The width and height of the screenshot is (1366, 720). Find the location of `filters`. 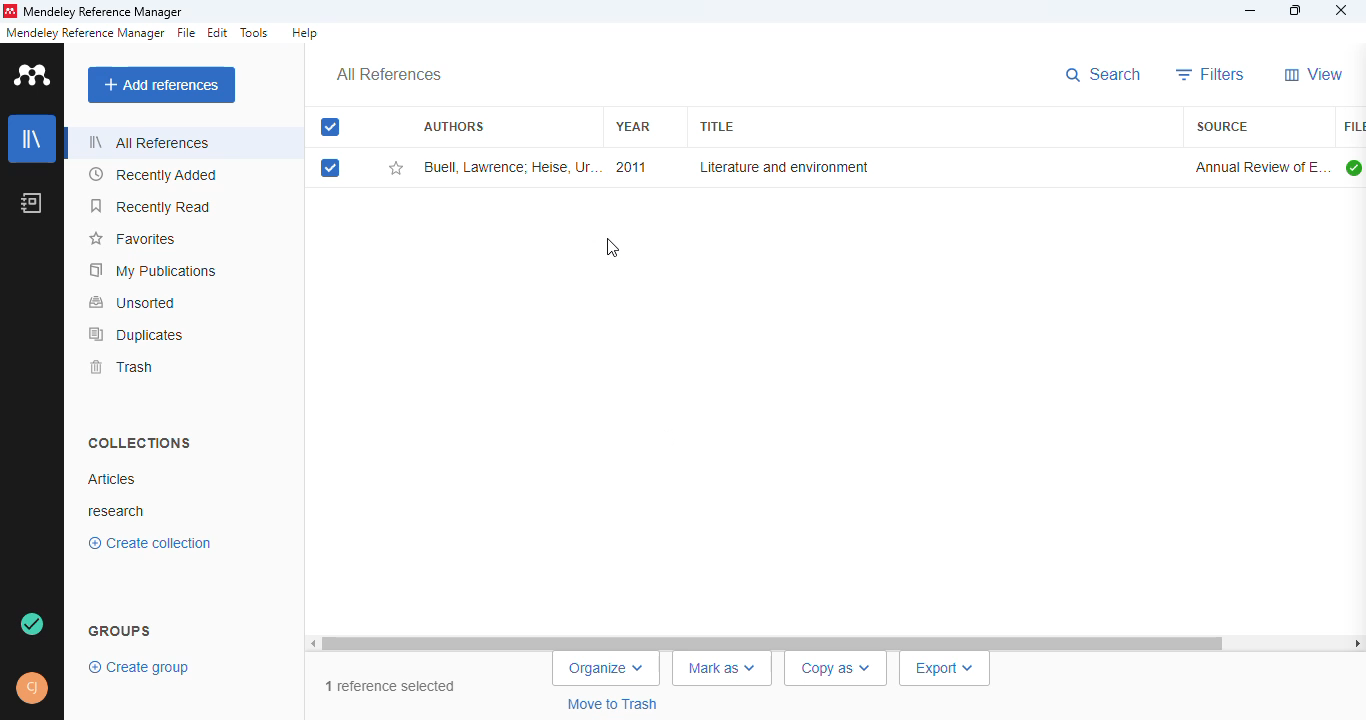

filters is located at coordinates (1211, 74).